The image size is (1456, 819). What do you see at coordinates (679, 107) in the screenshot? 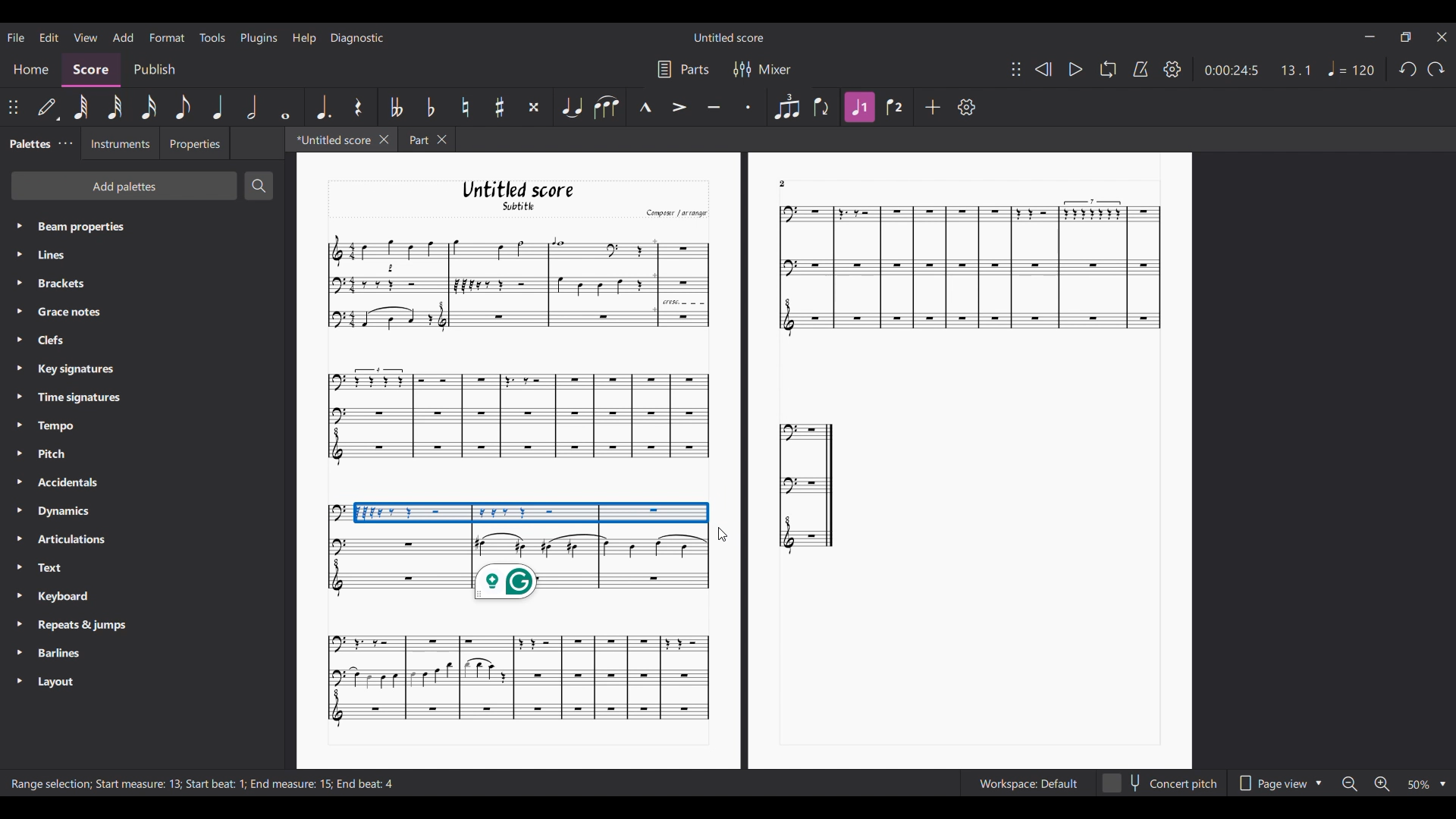
I see `Accent` at bounding box center [679, 107].